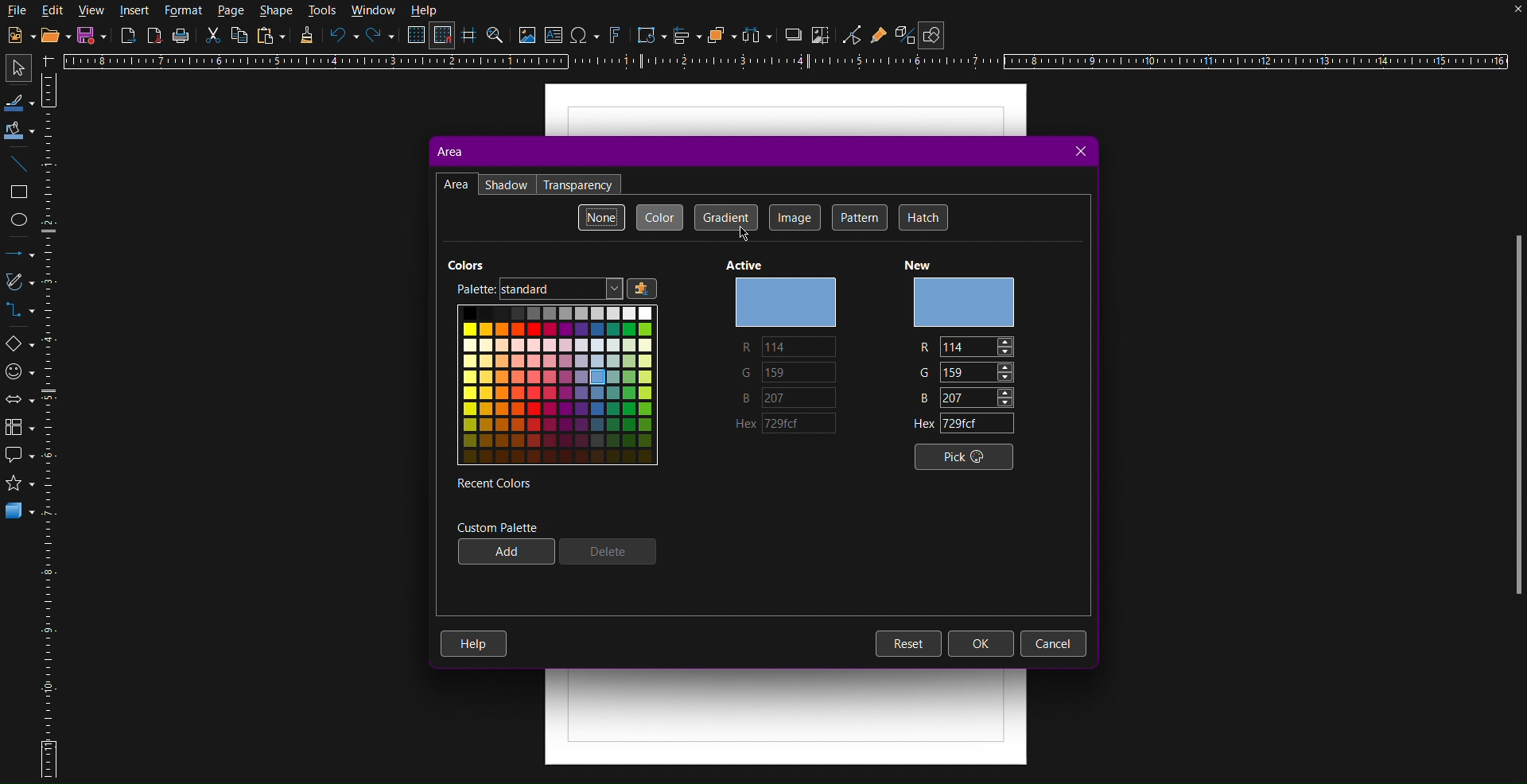 The image size is (1527, 784). I want to click on Colors, so click(465, 263).